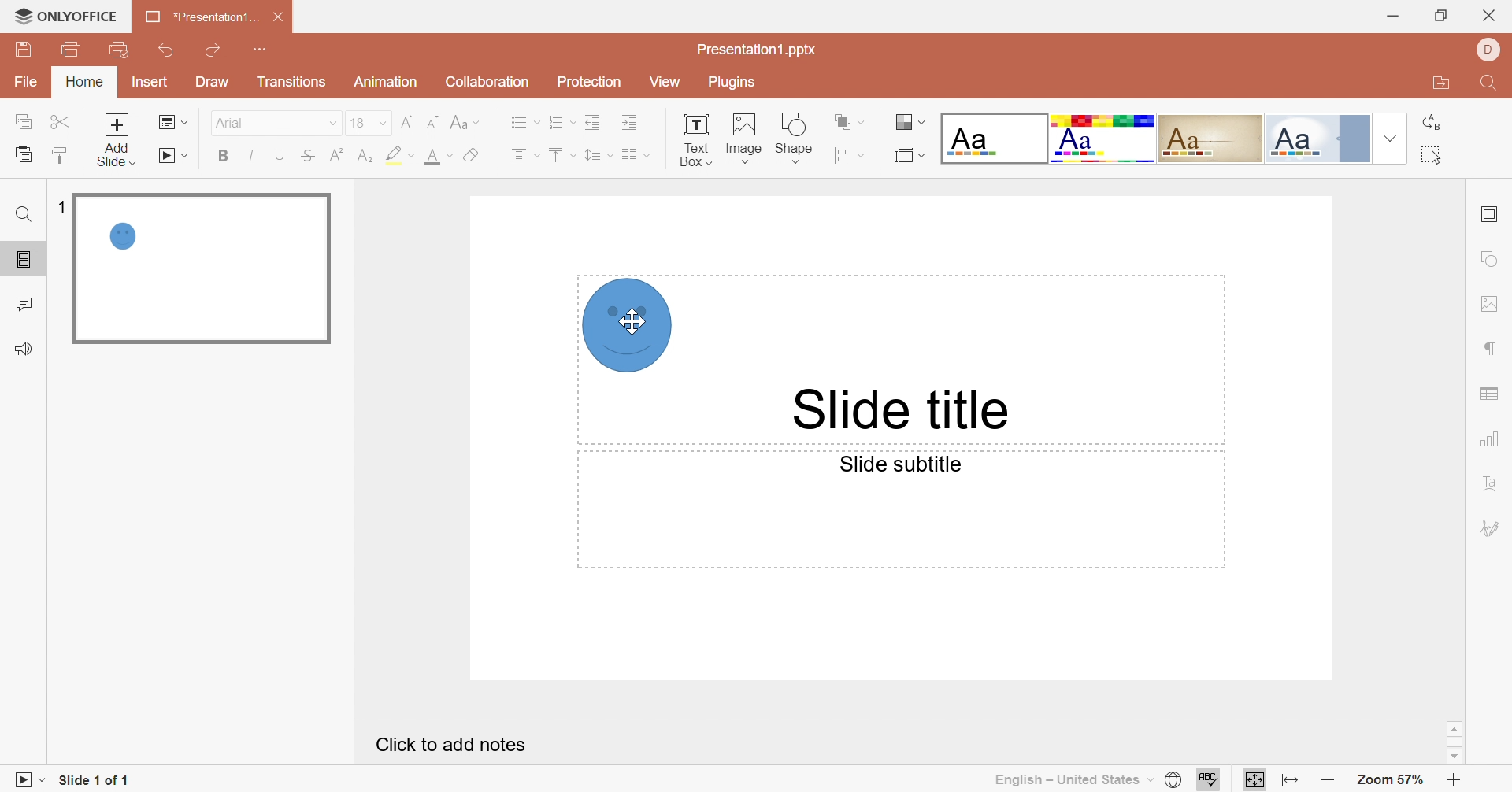 This screenshot has height=792, width=1512. Describe the element at coordinates (256, 126) in the screenshot. I see `Arial` at that location.